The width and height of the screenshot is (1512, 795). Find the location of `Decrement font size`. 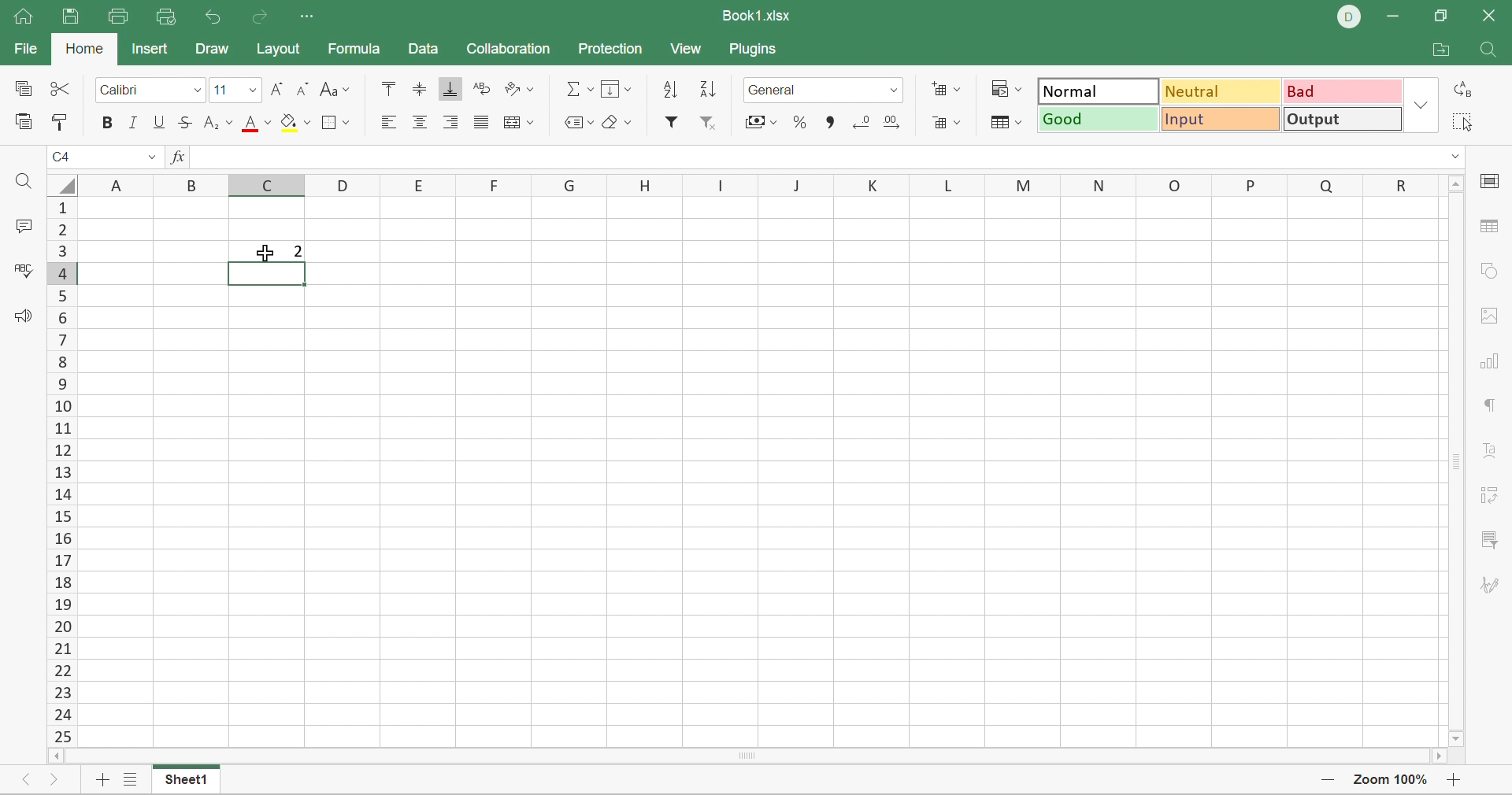

Decrement font size is located at coordinates (304, 90).